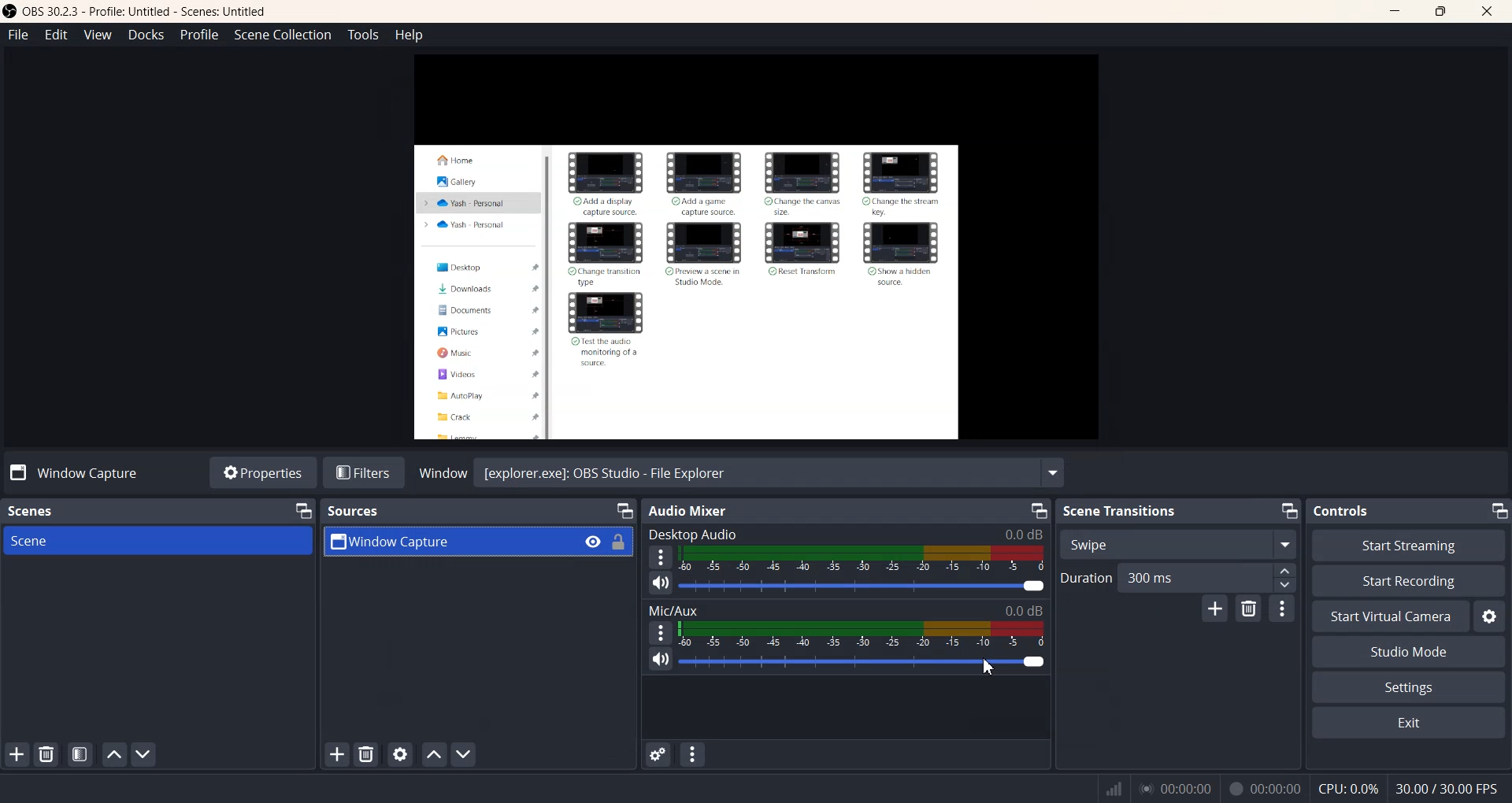 Image resolution: width=1512 pixels, height=803 pixels. Describe the element at coordinates (772, 473) in the screenshot. I see `[explorer.exe]: OBS Studio - File Explorer` at that location.